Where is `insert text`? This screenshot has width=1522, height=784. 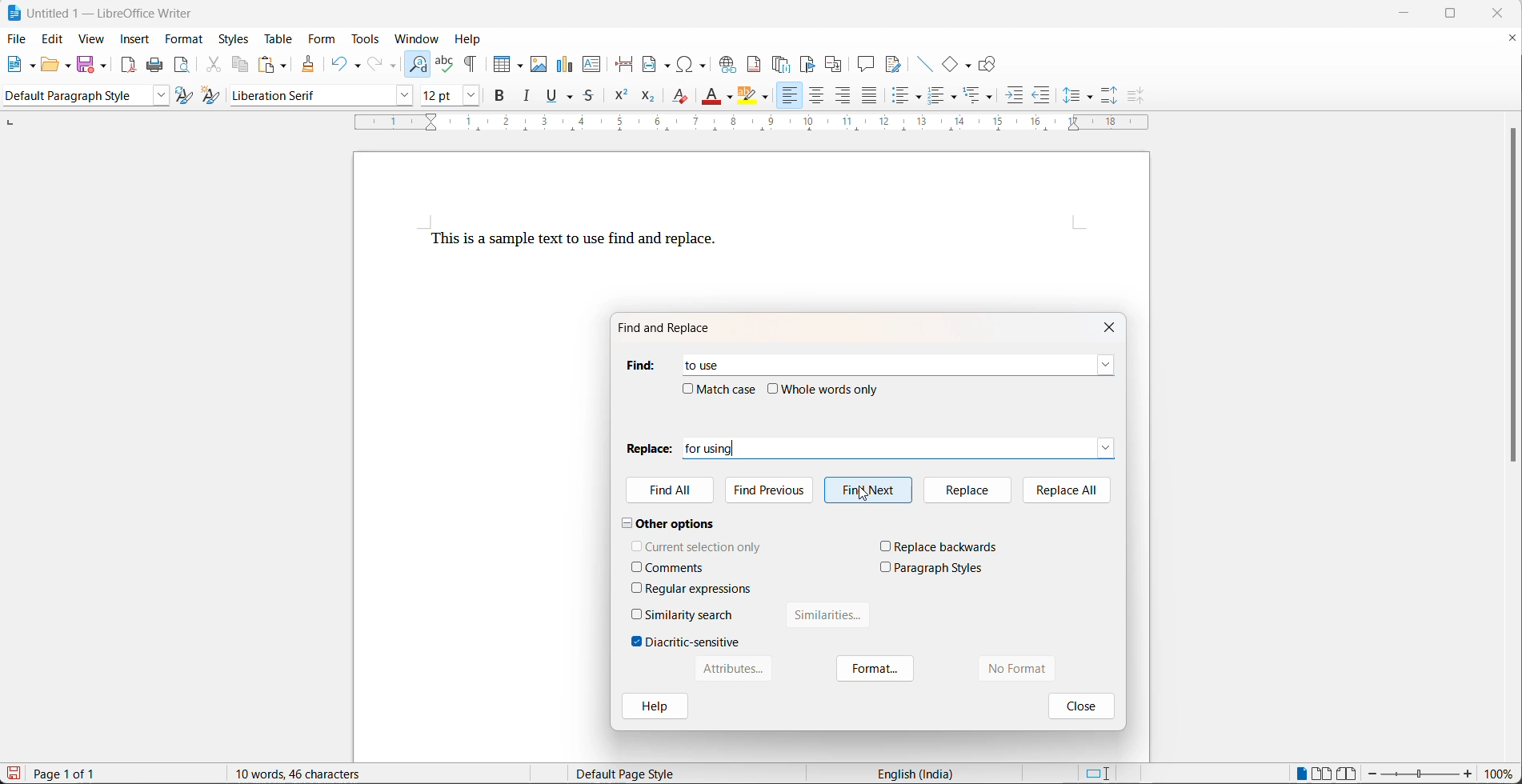
insert text is located at coordinates (593, 66).